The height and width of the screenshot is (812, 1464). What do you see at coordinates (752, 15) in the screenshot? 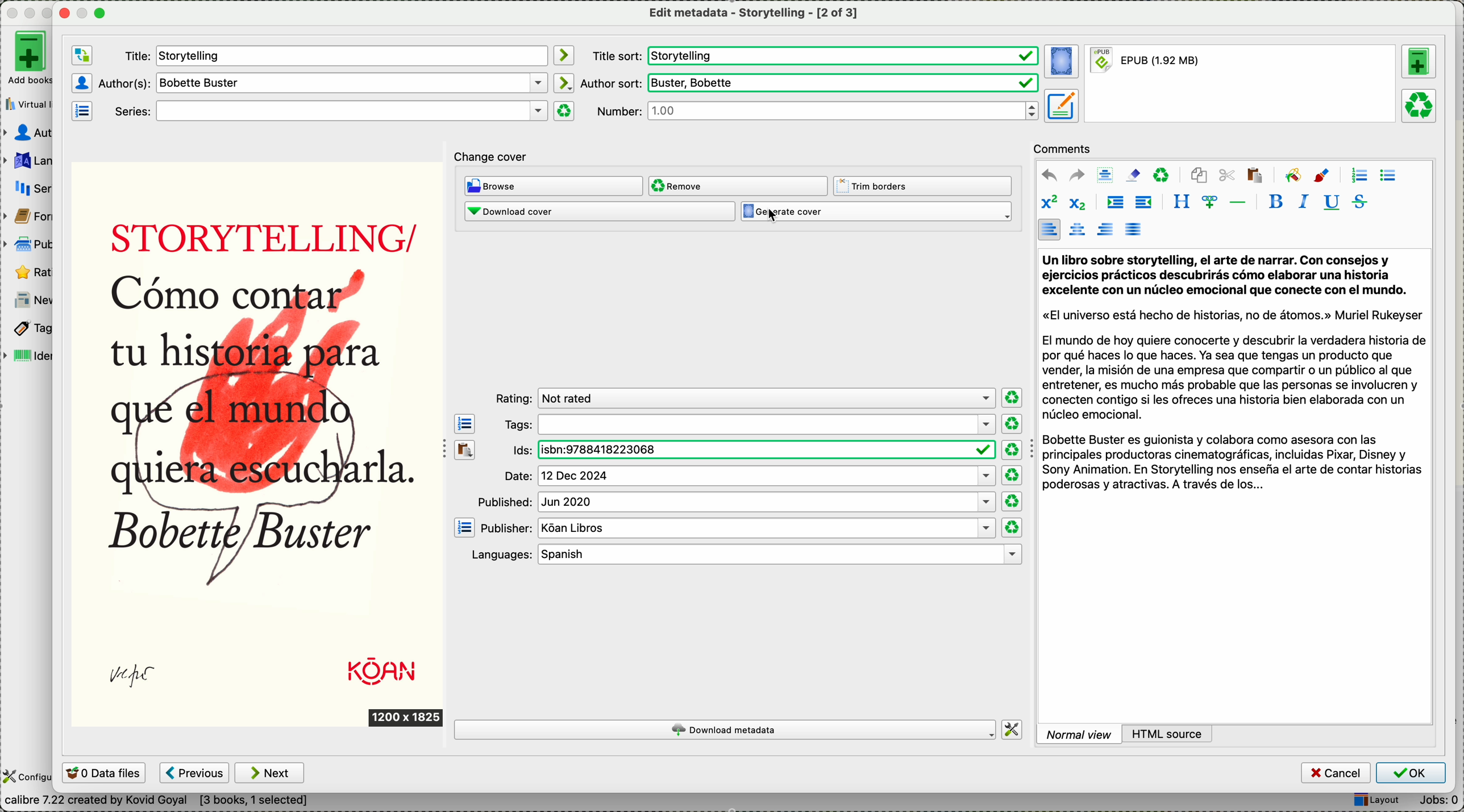
I see `edit metadata` at bounding box center [752, 15].